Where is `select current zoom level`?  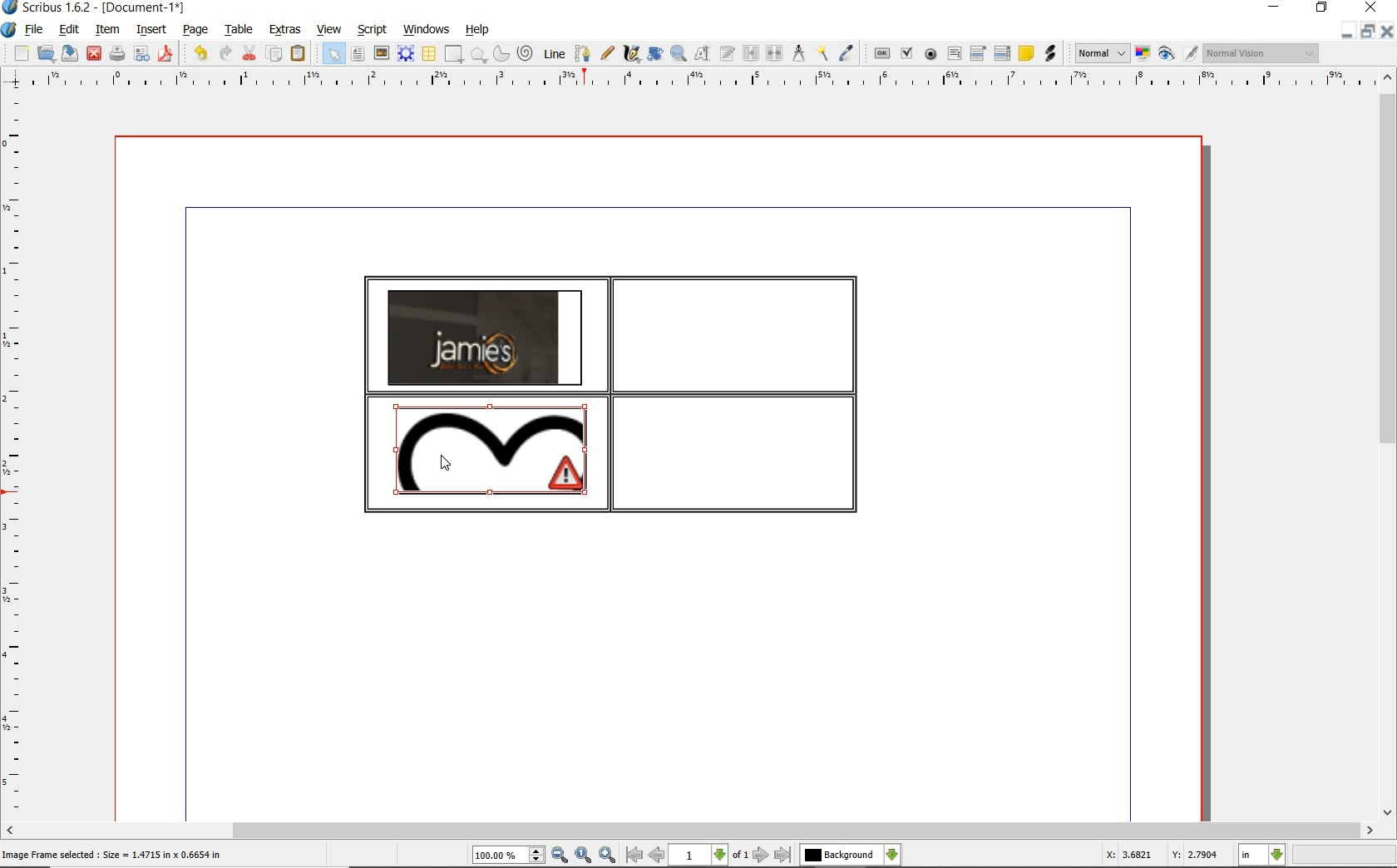
select current zoom level is located at coordinates (508, 856).